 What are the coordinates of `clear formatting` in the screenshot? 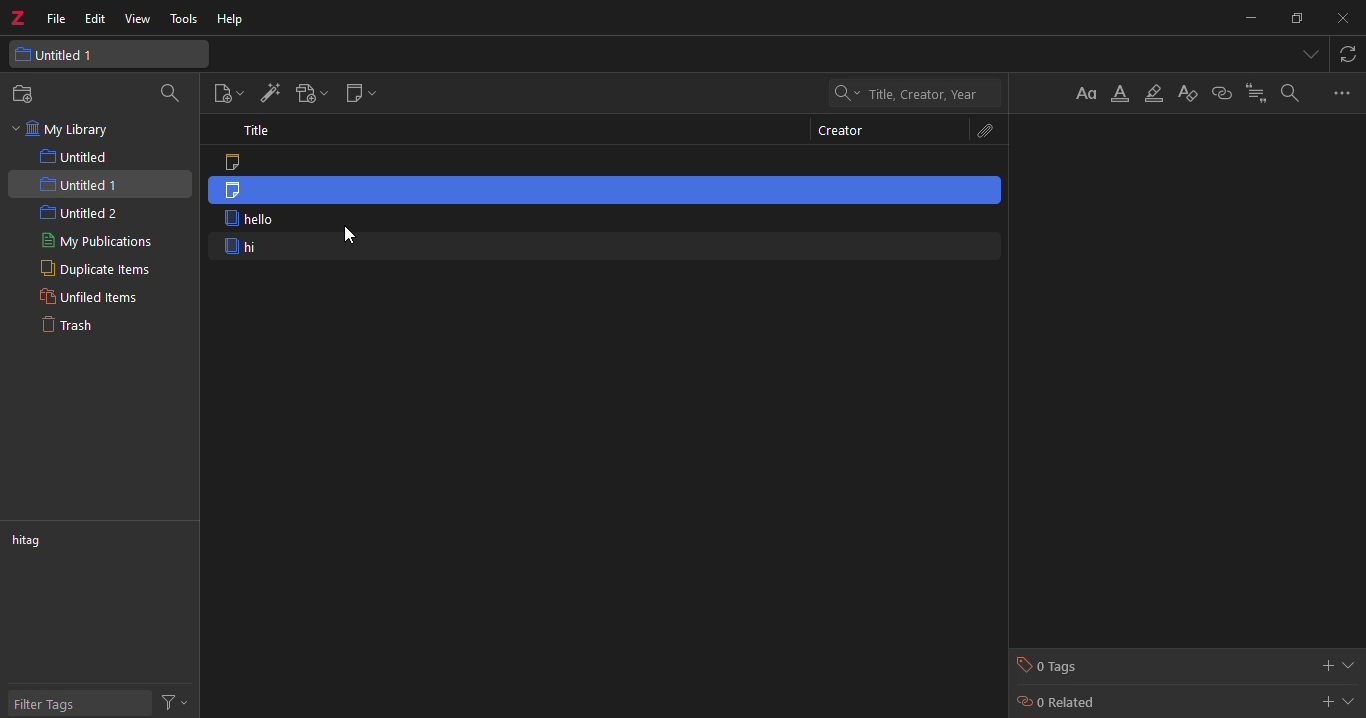 It's located at (1186, 91).